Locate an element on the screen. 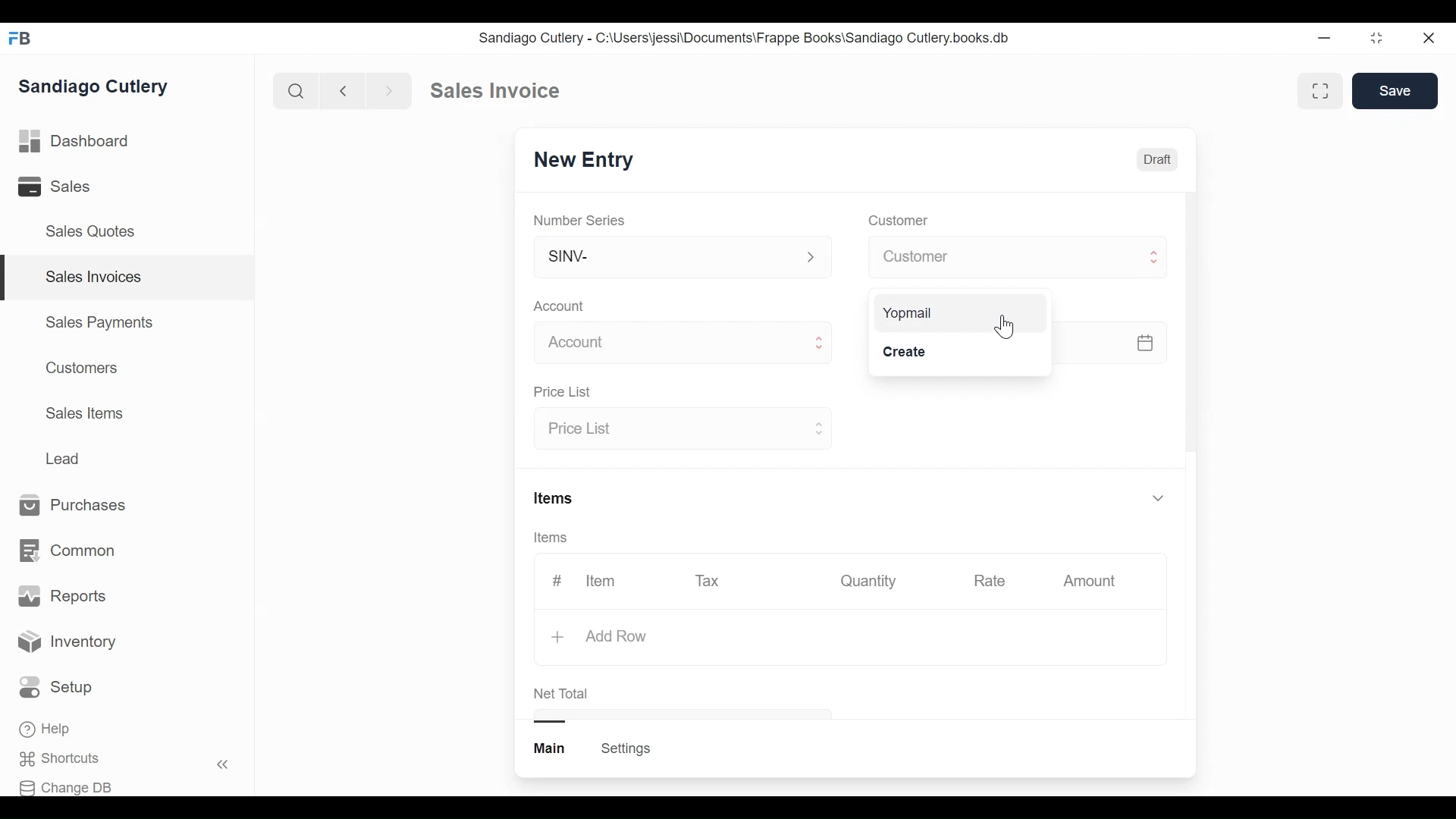 The height and width of the screenshot is (819, 1456). Reports is located at coordinates (62, 596).